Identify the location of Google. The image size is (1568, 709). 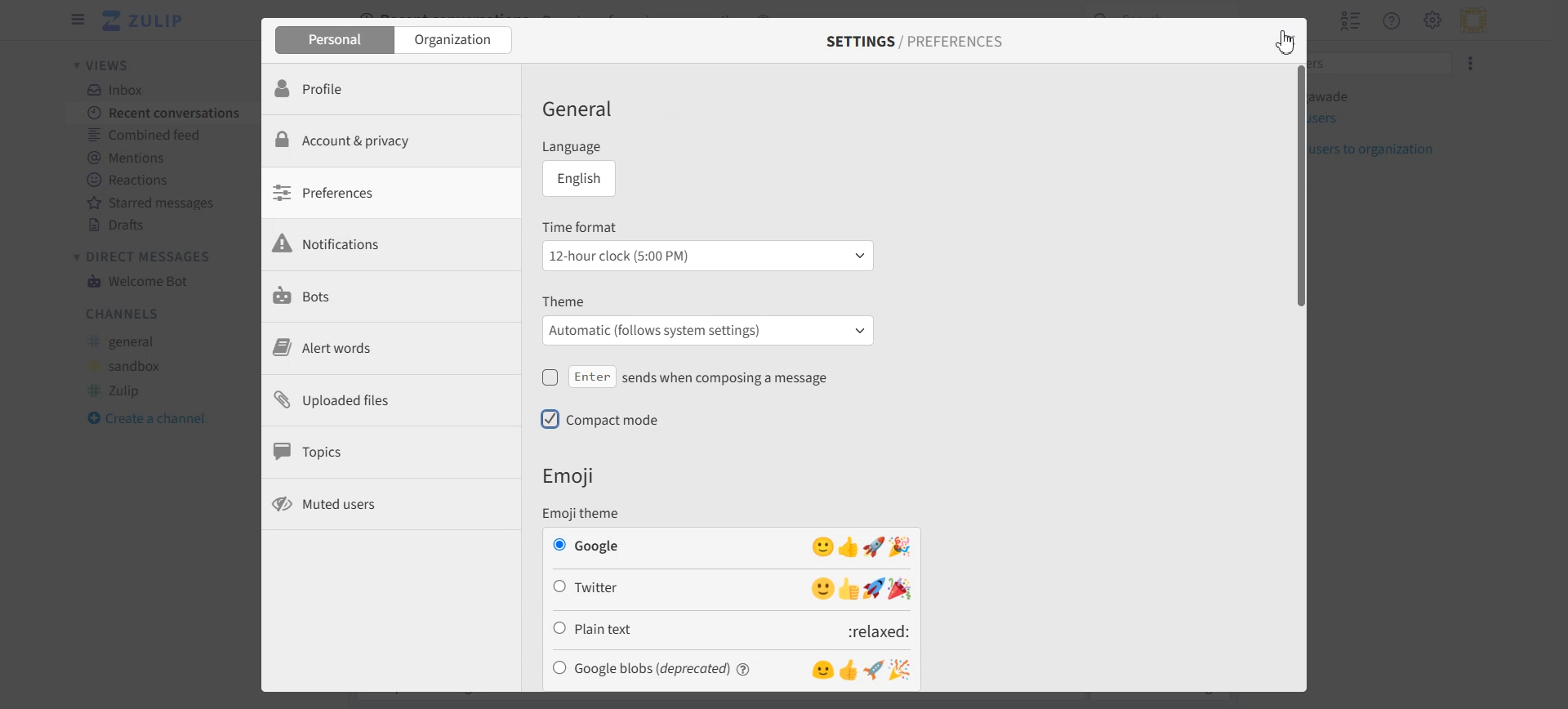
(733, 545).